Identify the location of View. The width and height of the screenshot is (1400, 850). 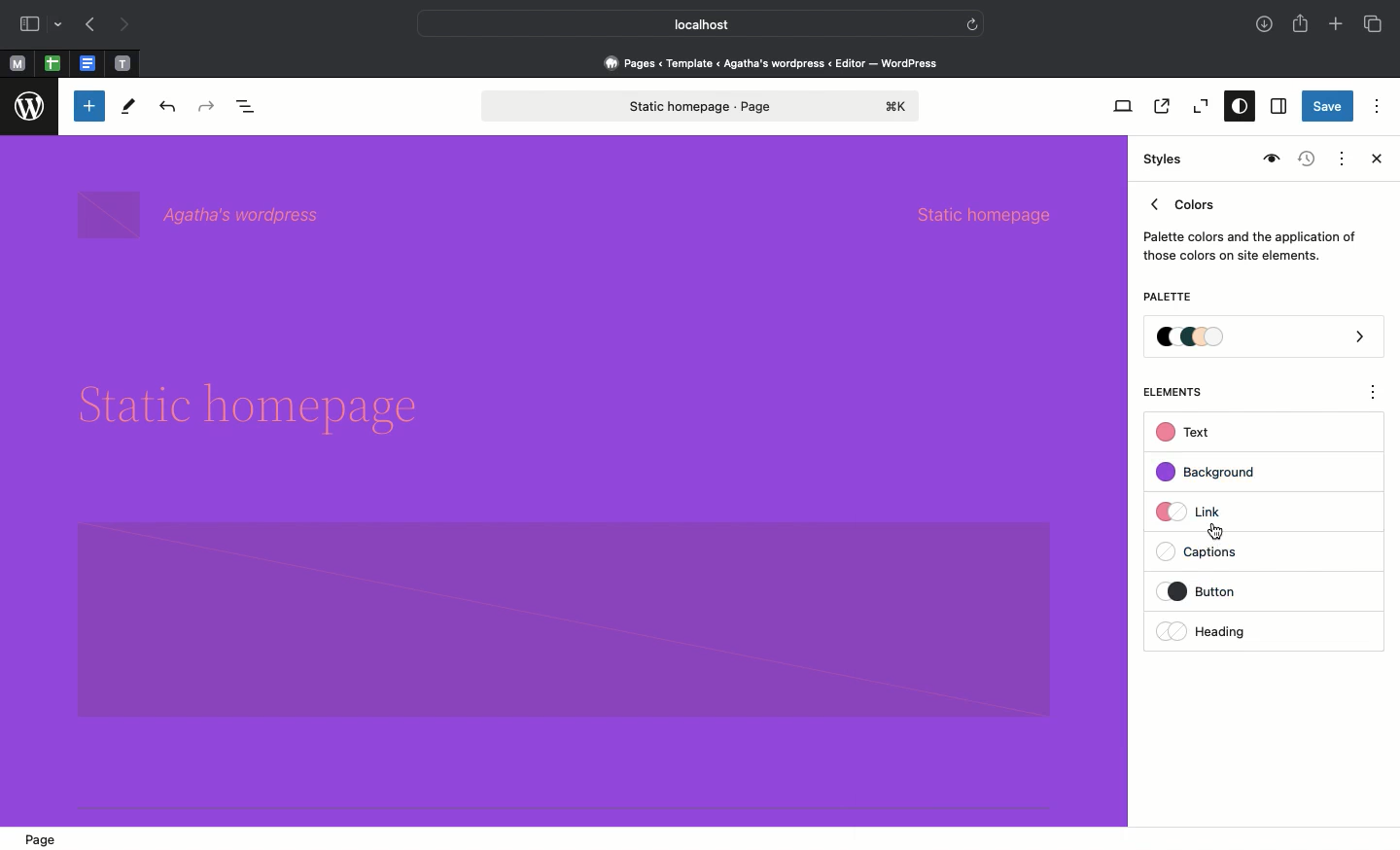
(1119, 106).